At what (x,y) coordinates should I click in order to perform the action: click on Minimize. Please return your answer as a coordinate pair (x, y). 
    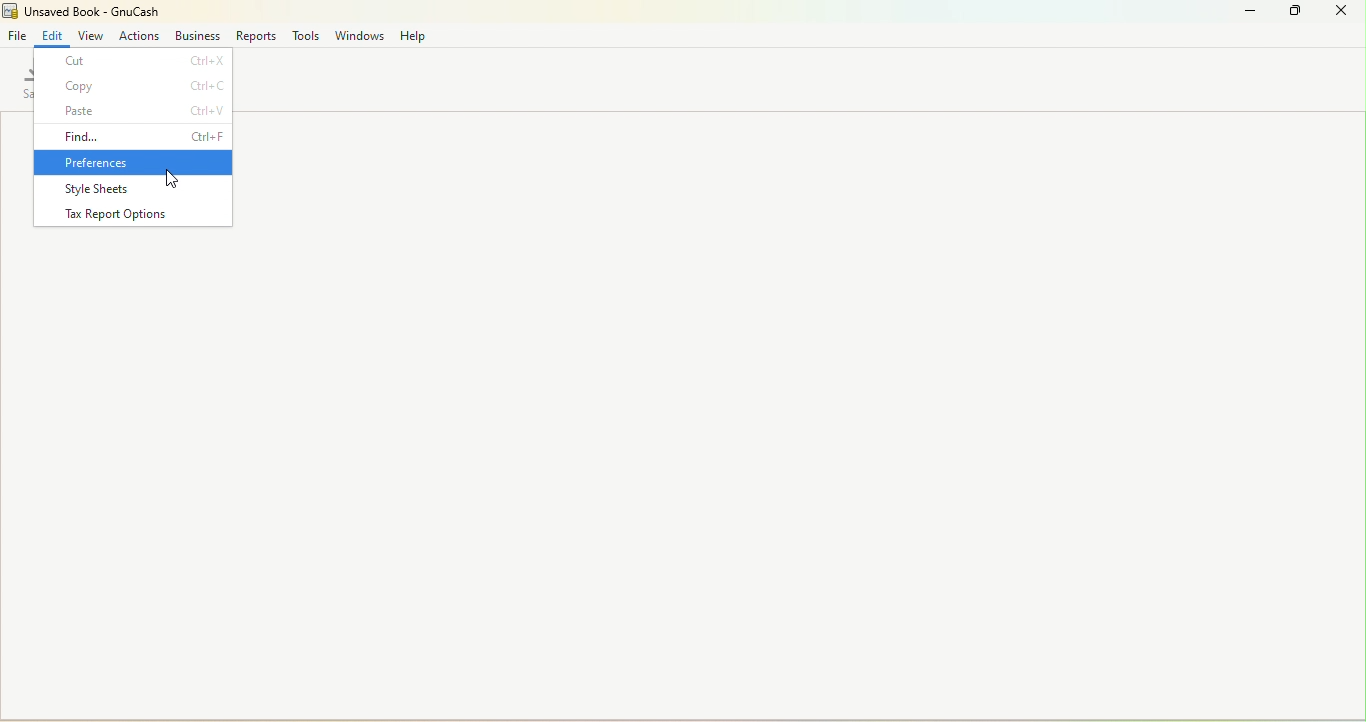
    Looking at the image, I should click on (1243, 13).